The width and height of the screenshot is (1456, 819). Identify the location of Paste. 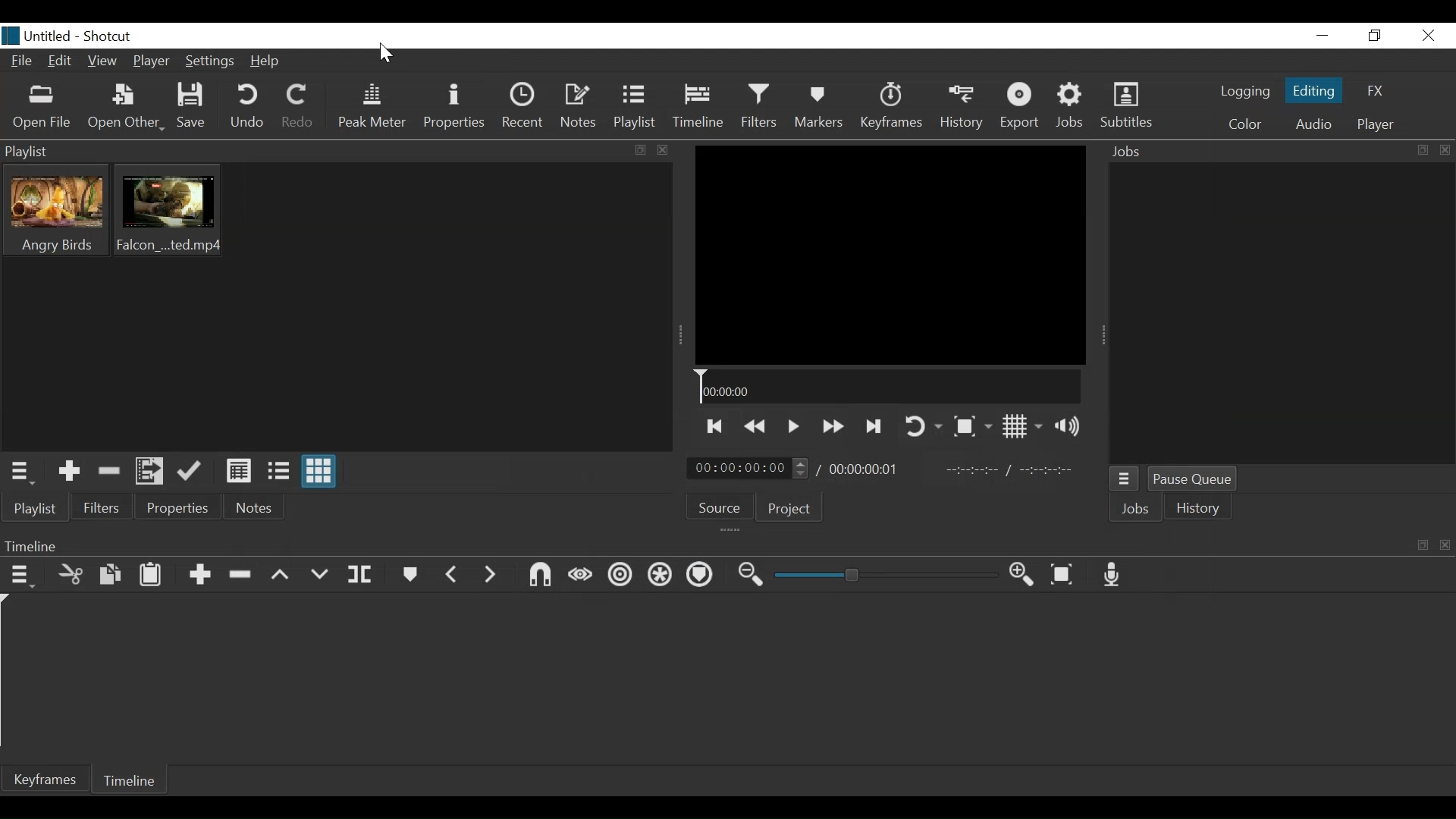
(151, 574).